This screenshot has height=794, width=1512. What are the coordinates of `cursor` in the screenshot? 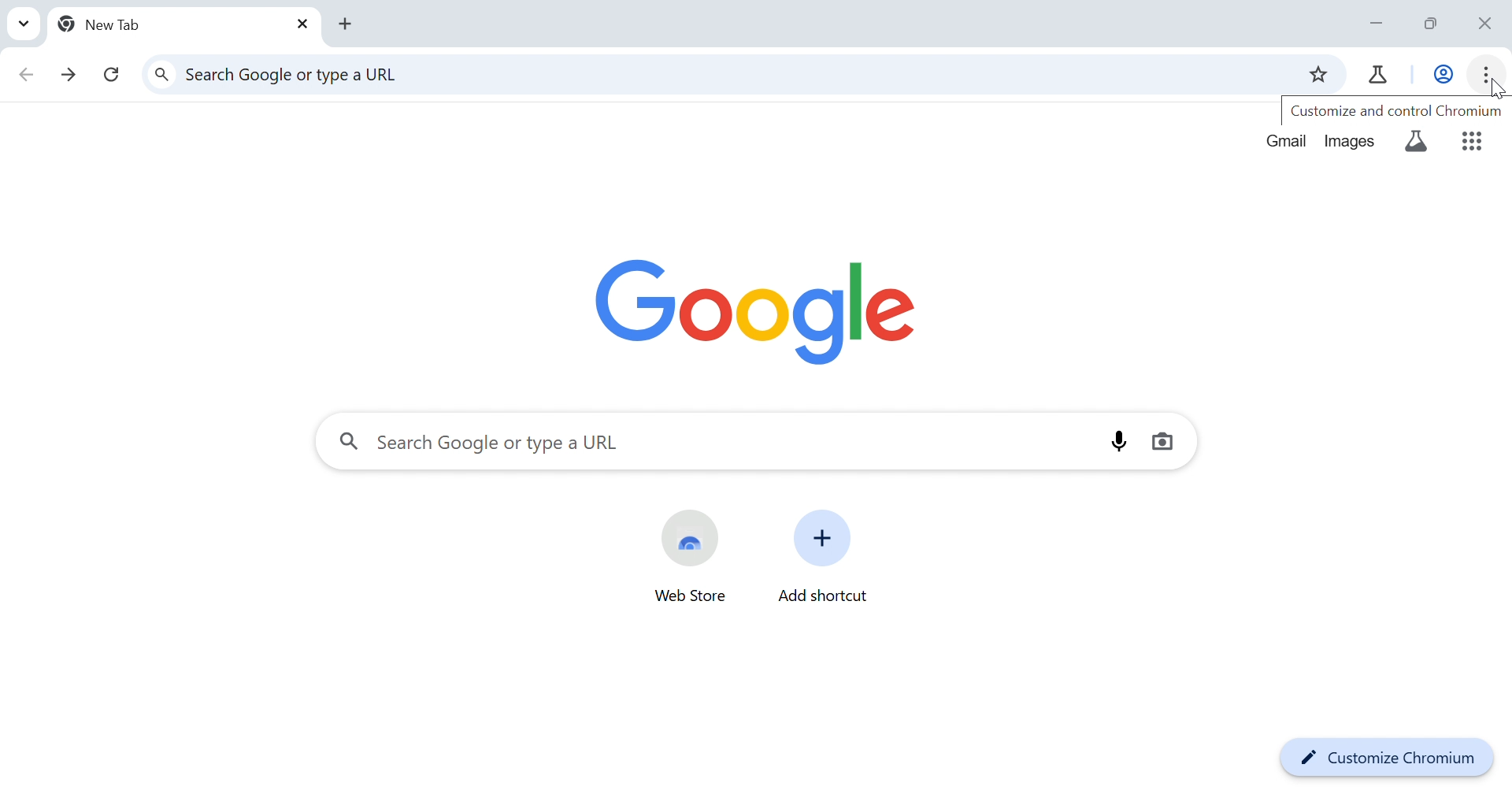 It's located at (1493, 89).